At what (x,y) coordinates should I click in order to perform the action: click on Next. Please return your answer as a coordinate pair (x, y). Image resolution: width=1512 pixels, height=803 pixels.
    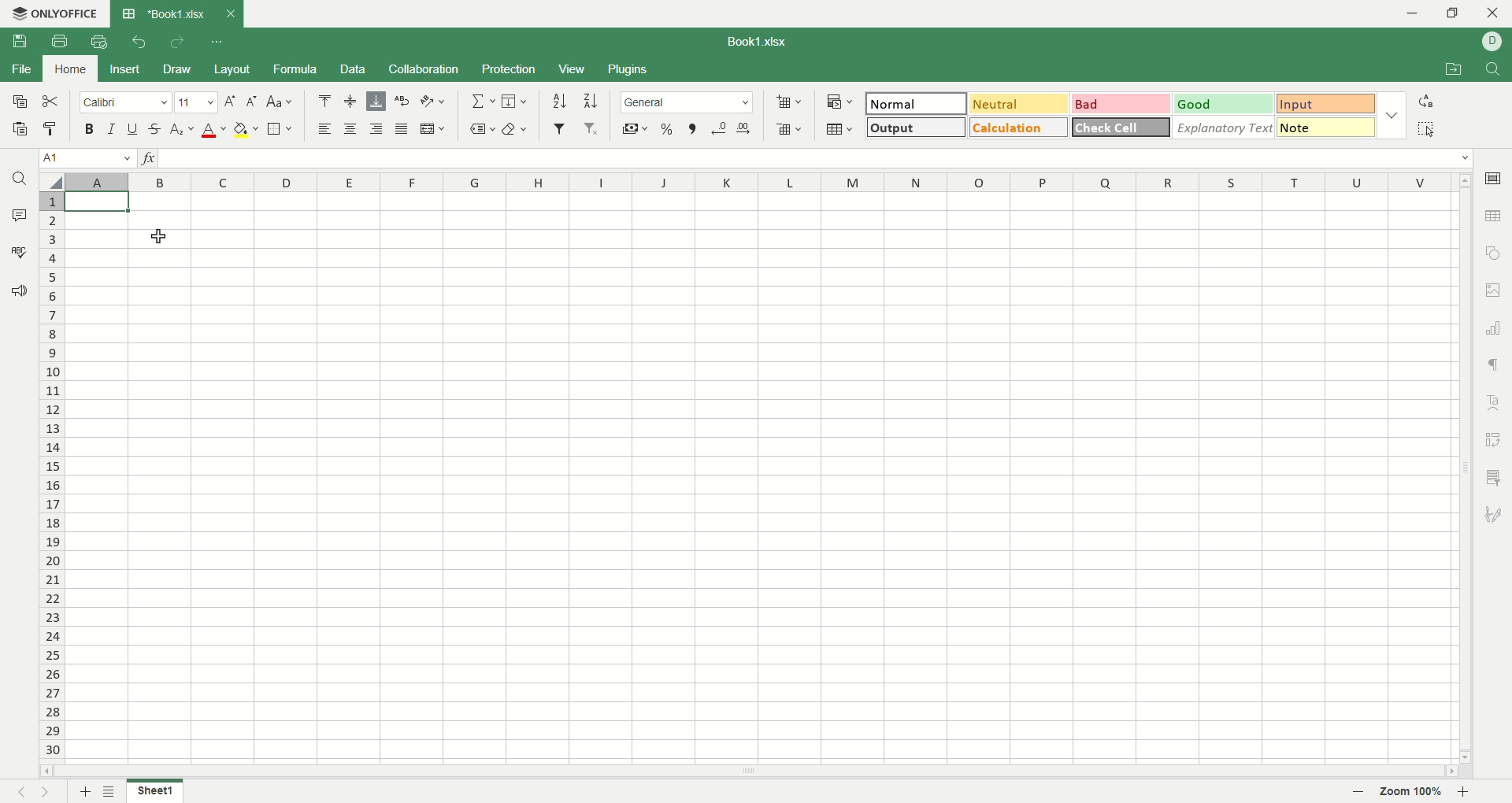
    Looking at the image, I should click on (48, 791).